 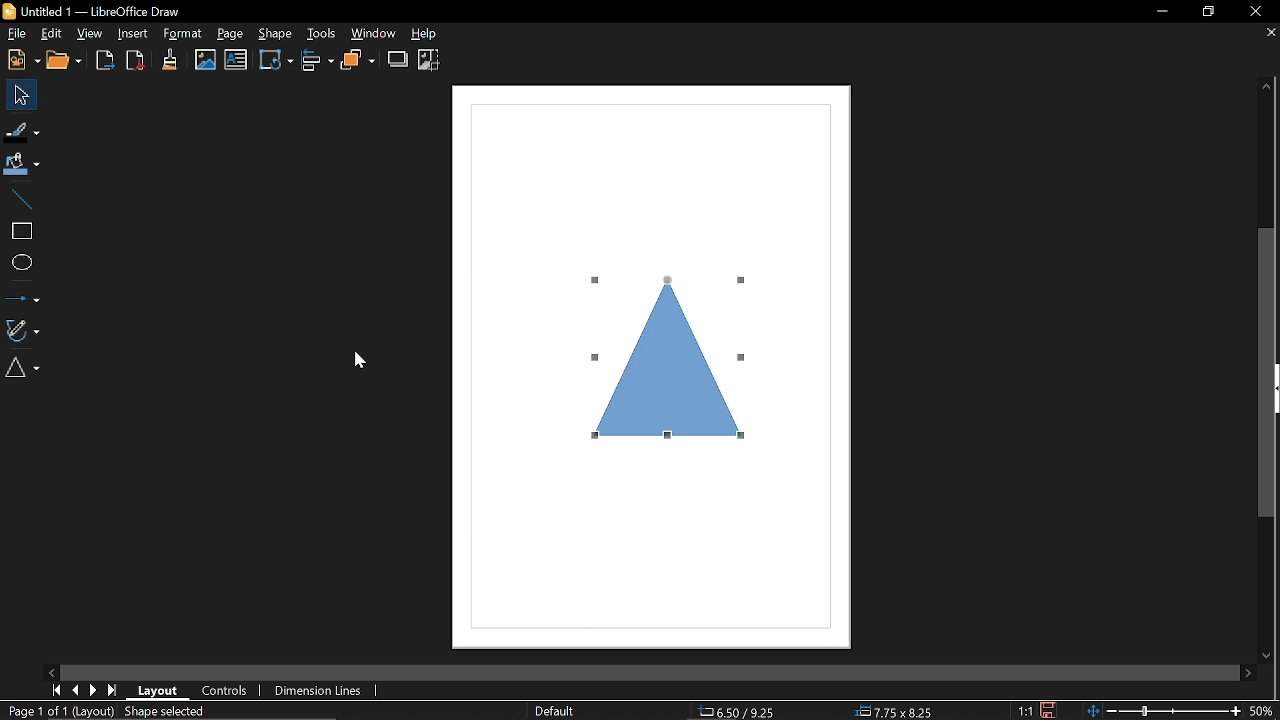 I want to click on Move down, so click(x=1264, y=655).